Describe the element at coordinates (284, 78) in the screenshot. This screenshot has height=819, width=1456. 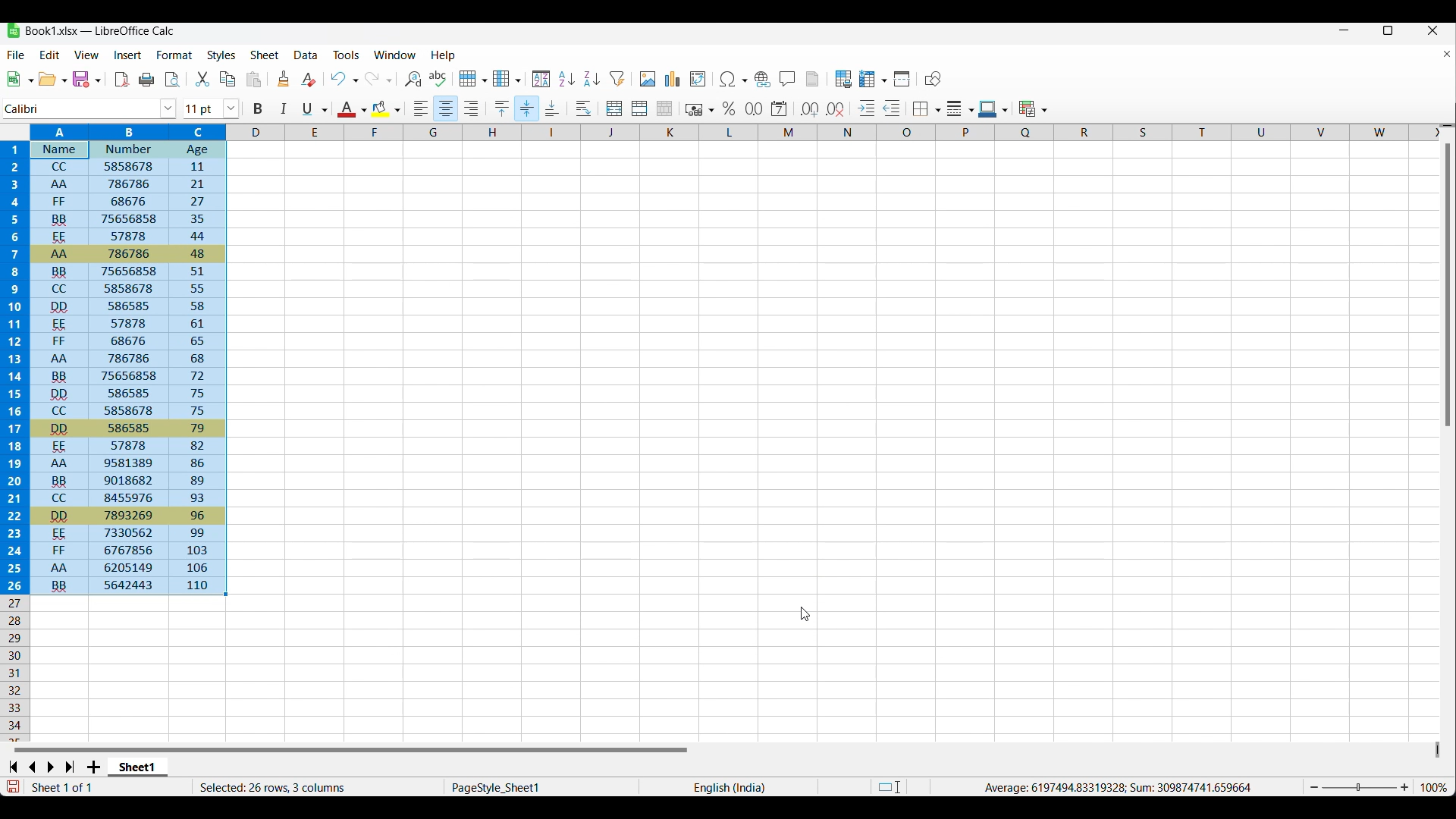
I see `Clone formatting` at that location.